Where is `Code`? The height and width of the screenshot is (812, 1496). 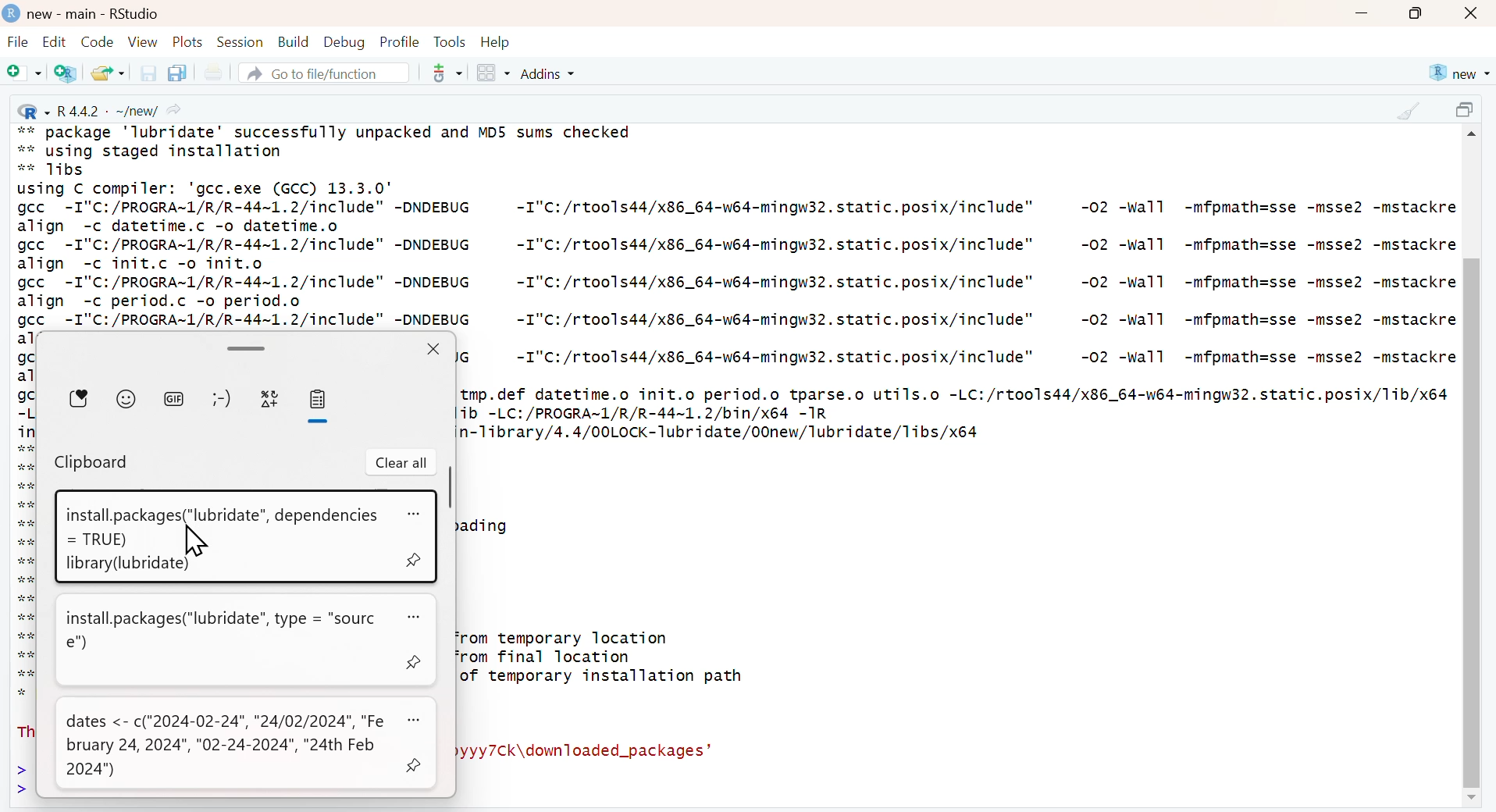 Code is located at coordinates (95, 41).